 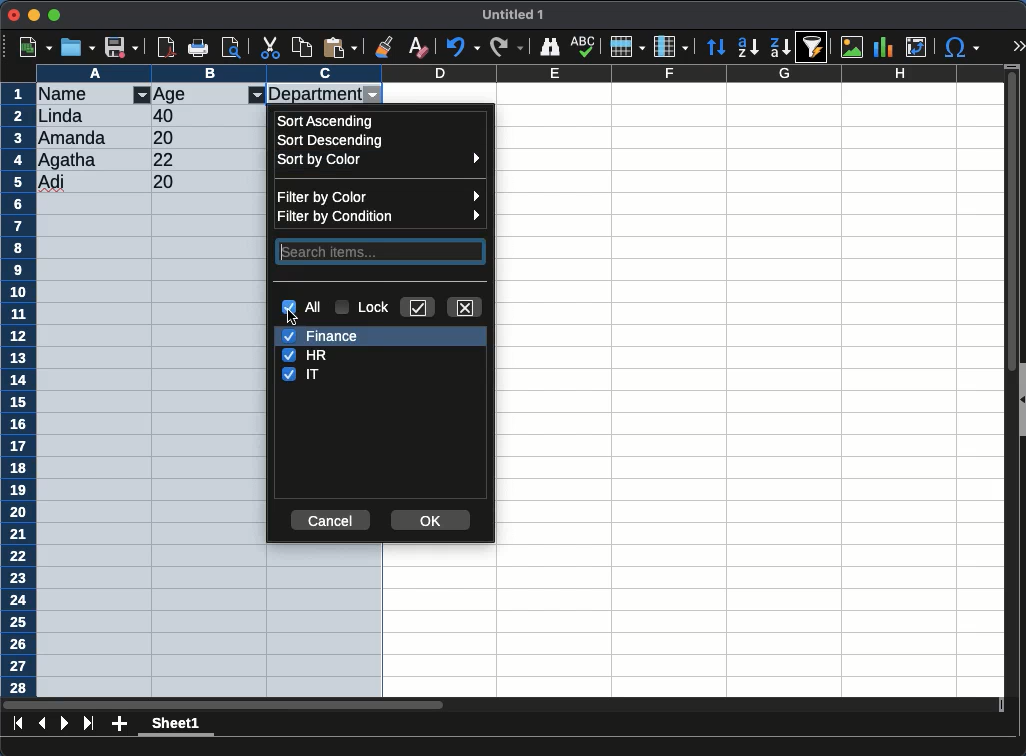 What do you see at coordinates (386, 46) in the screenshot?
I see `clone formatting` at bounding box center [386, 46].